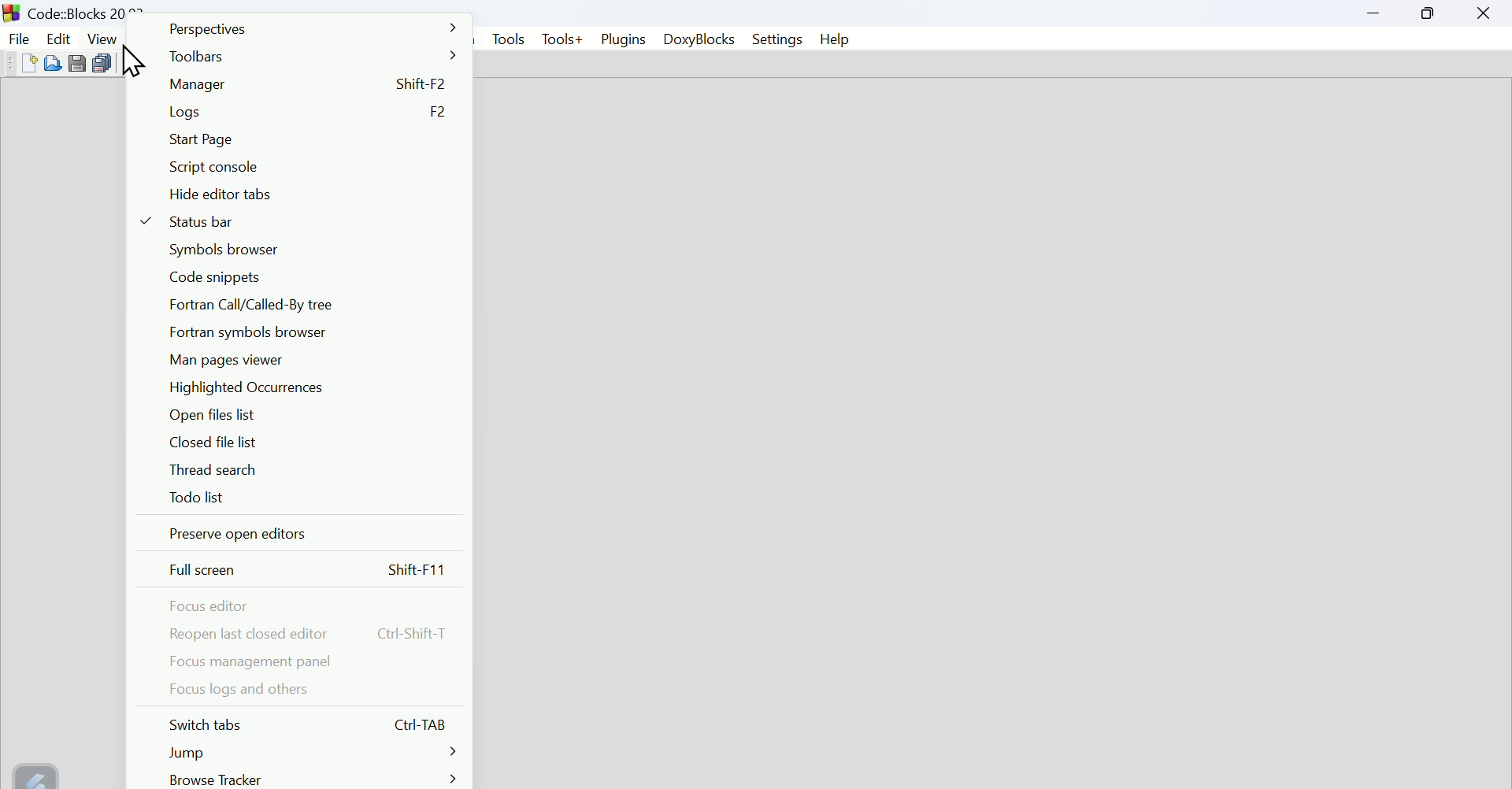  Describe the element at coordinates (314, 28) in the screenshot. I see `Perspectives` at that location.